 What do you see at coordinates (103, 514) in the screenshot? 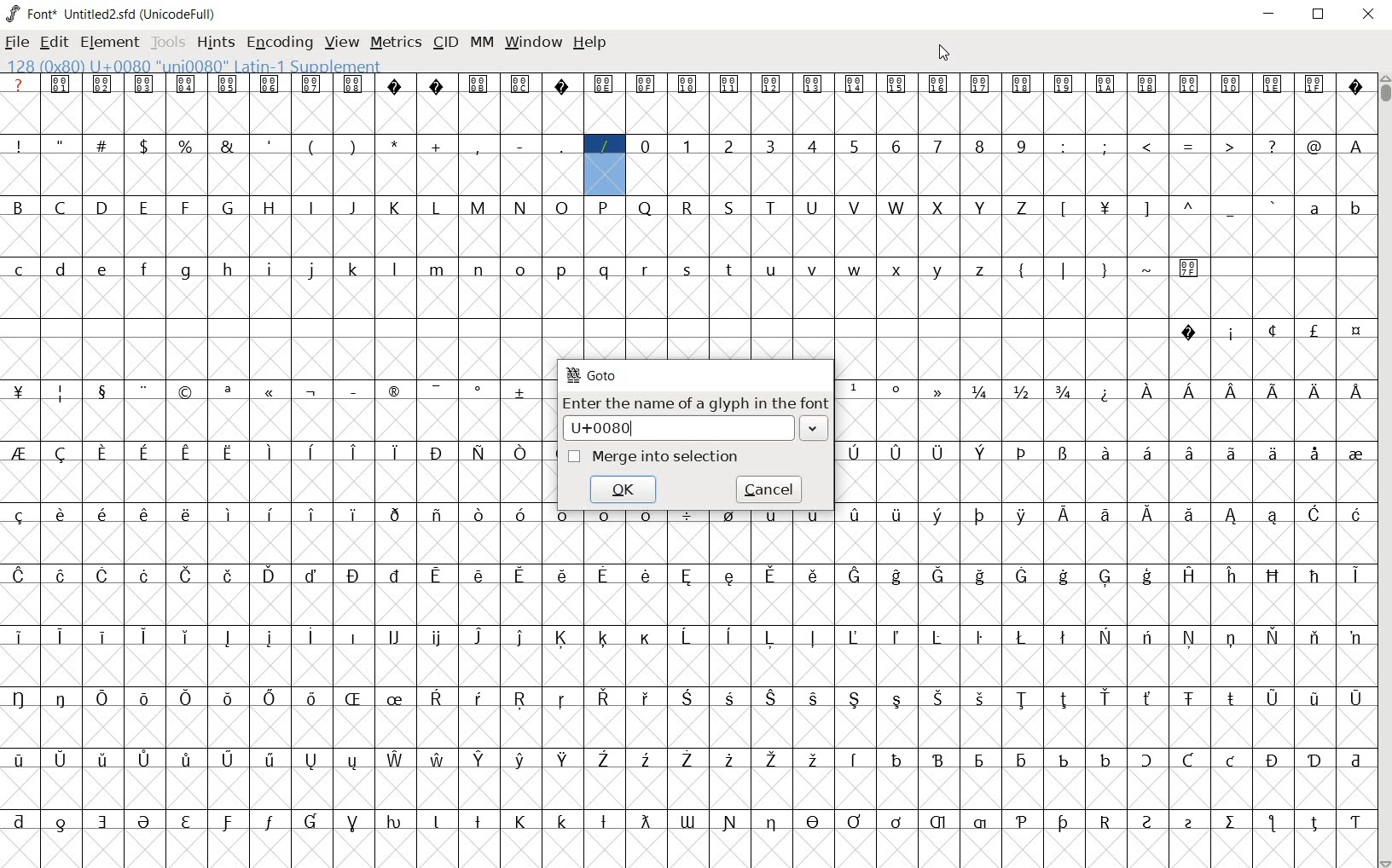
I see `glyph` at bounding box center [103, 514].